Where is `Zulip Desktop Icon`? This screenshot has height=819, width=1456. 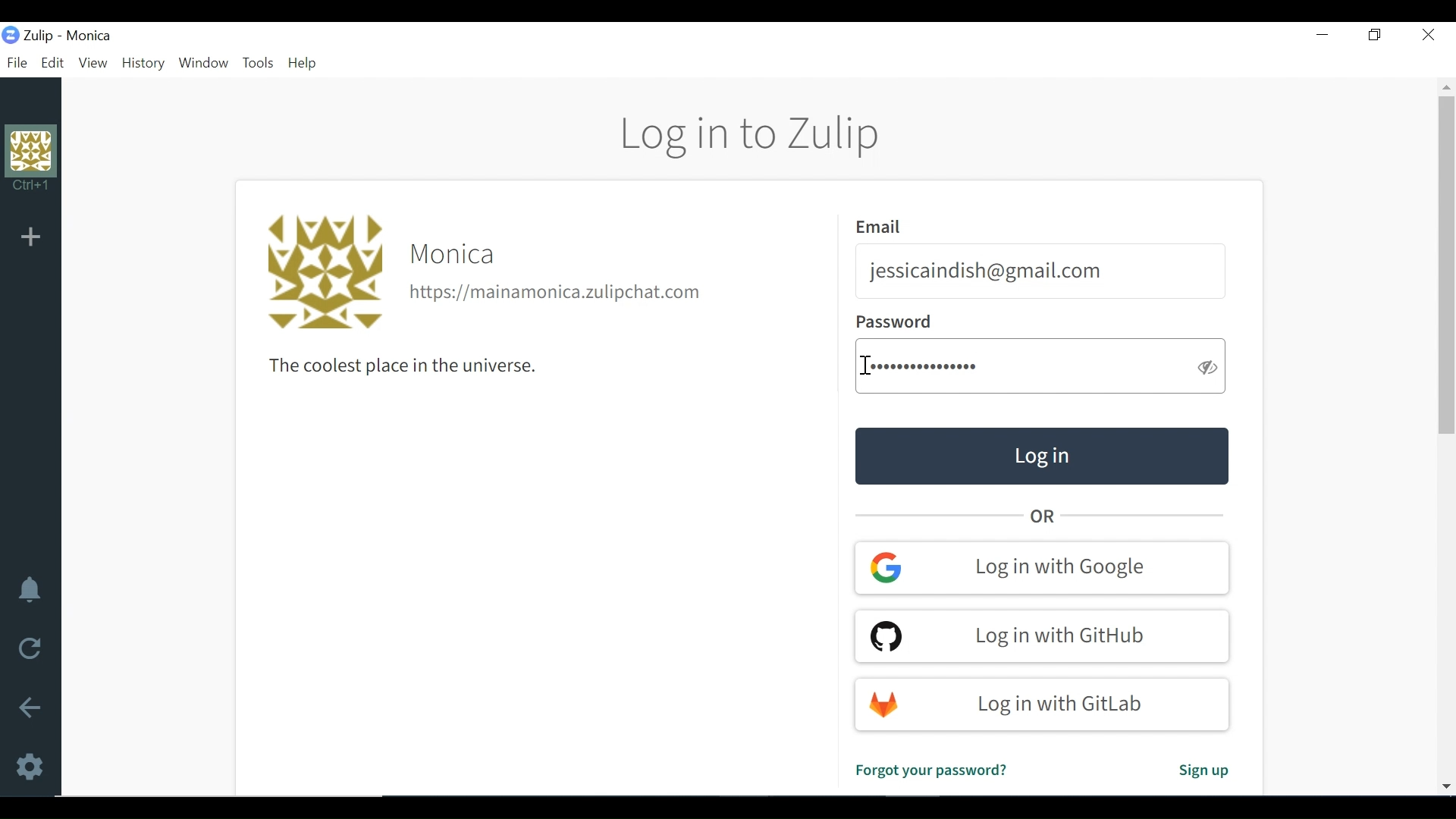 Zulip Desktop Icon is located at coordinates (31, 35).